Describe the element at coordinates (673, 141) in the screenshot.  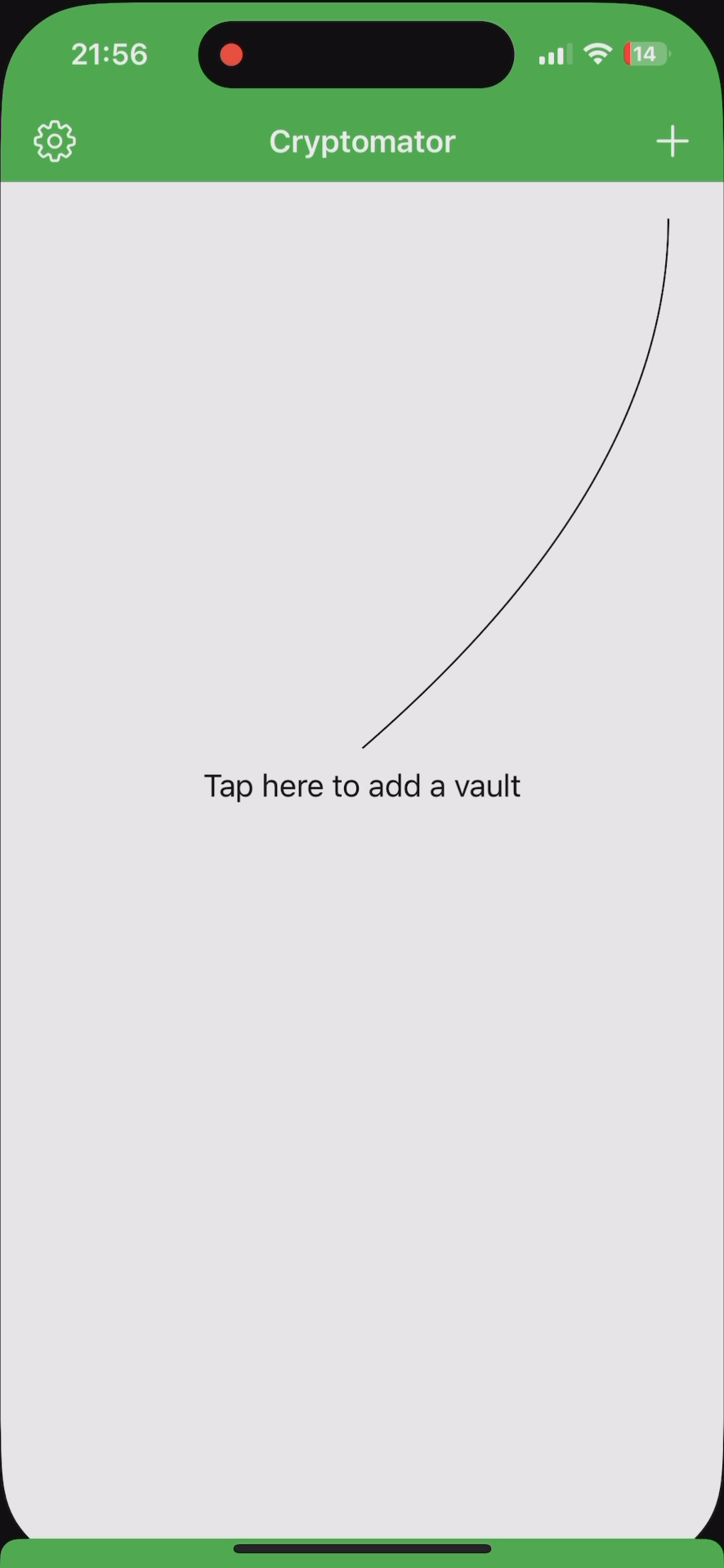
I see `add` at that location.